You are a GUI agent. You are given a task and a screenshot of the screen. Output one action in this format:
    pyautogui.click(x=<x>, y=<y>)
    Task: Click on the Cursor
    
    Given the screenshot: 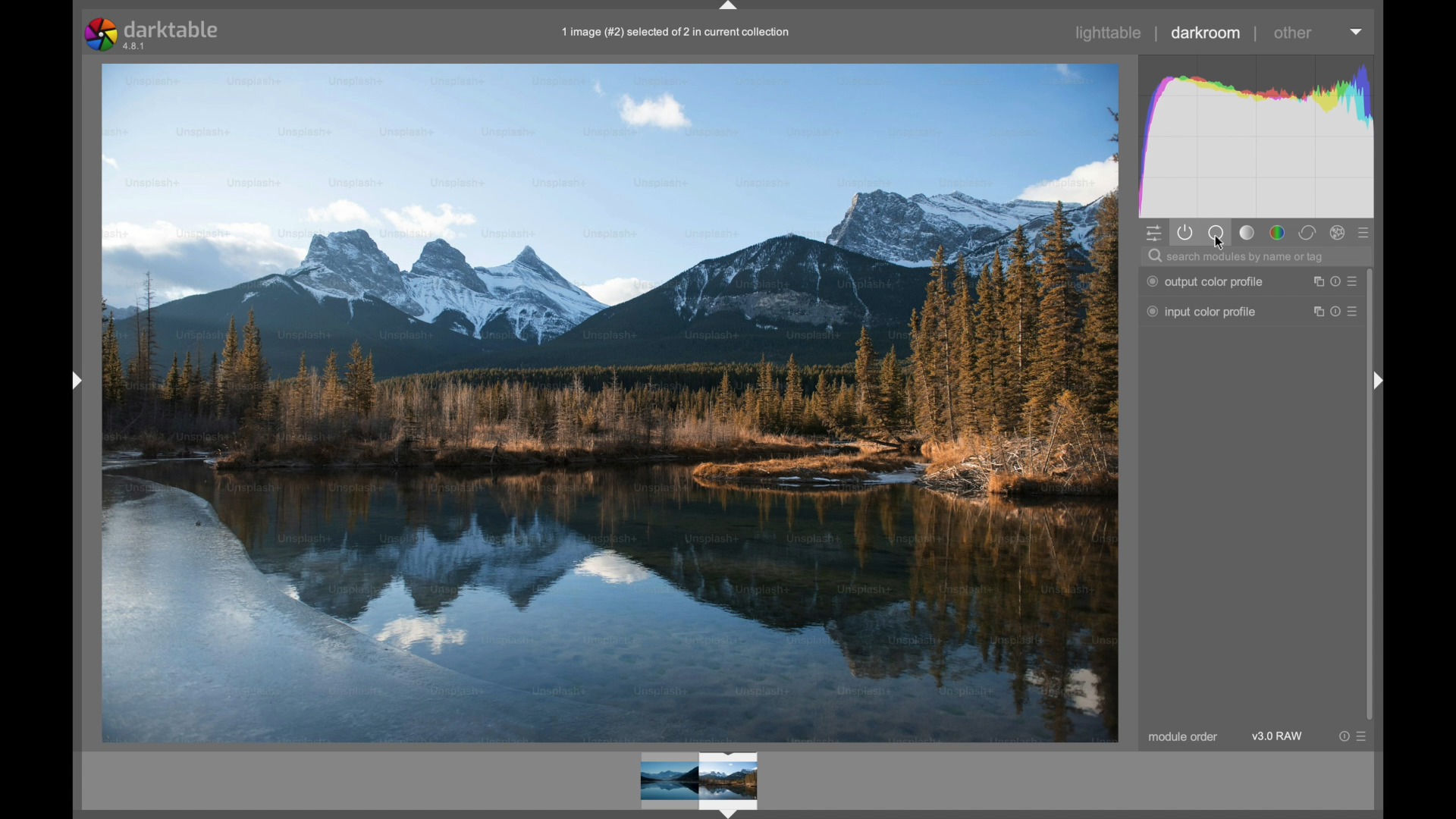 What is the action you would take?
    pyautogui.click(x=1220, y=246)
    